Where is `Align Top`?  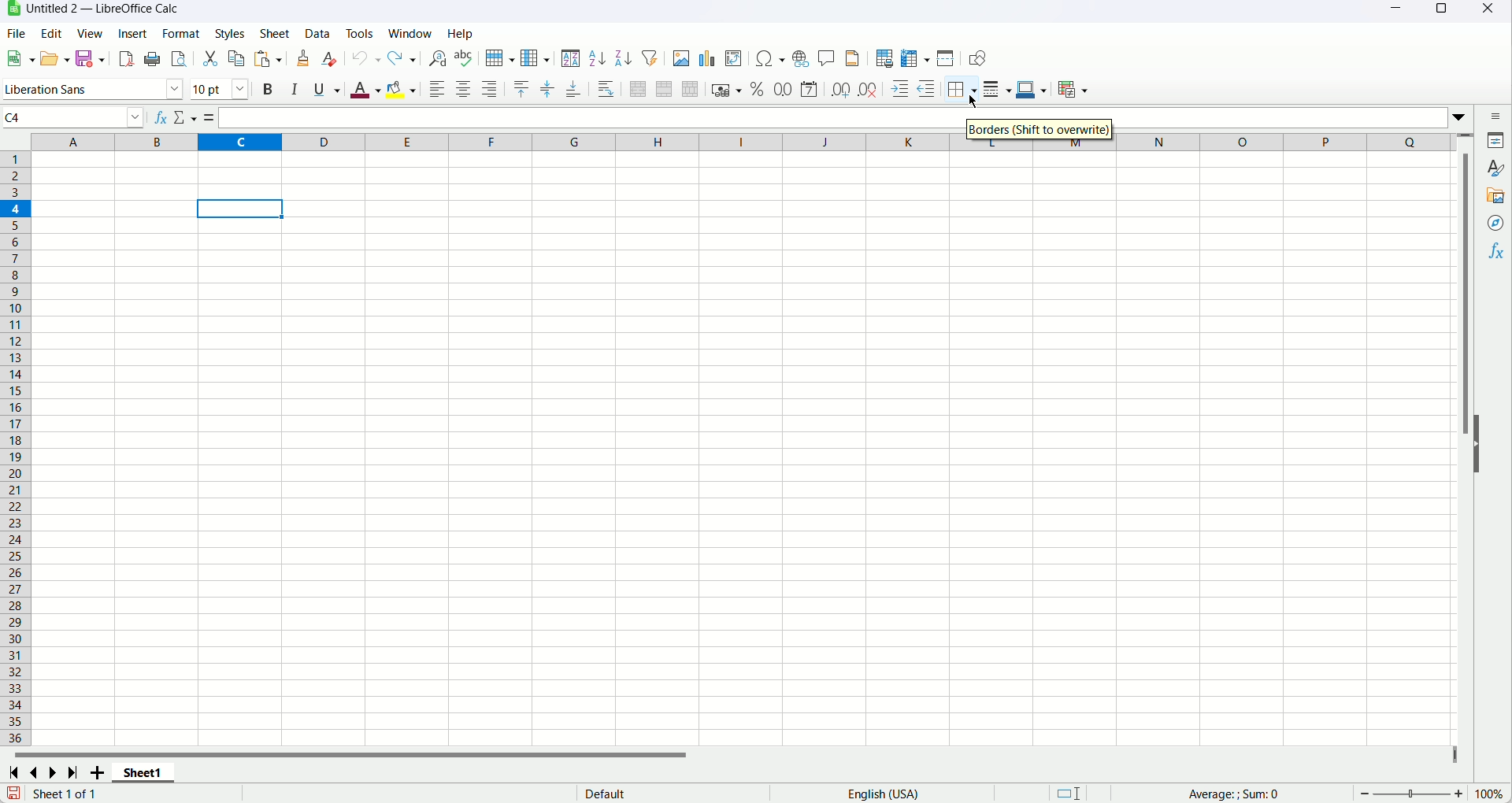 Align Top is located at coordinates (521, 90).